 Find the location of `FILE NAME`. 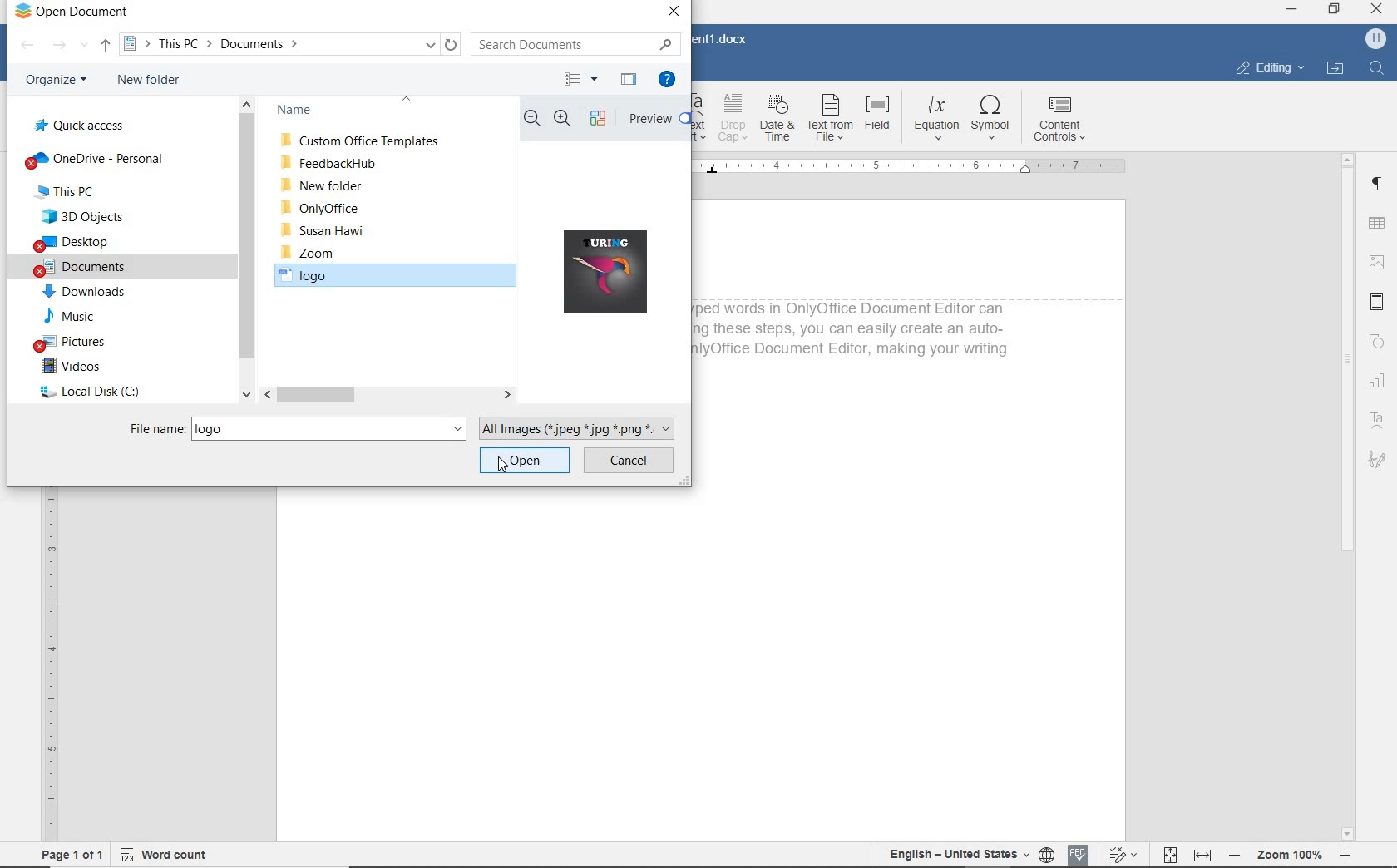

FILE NAME is located at coordinates (155, 428).